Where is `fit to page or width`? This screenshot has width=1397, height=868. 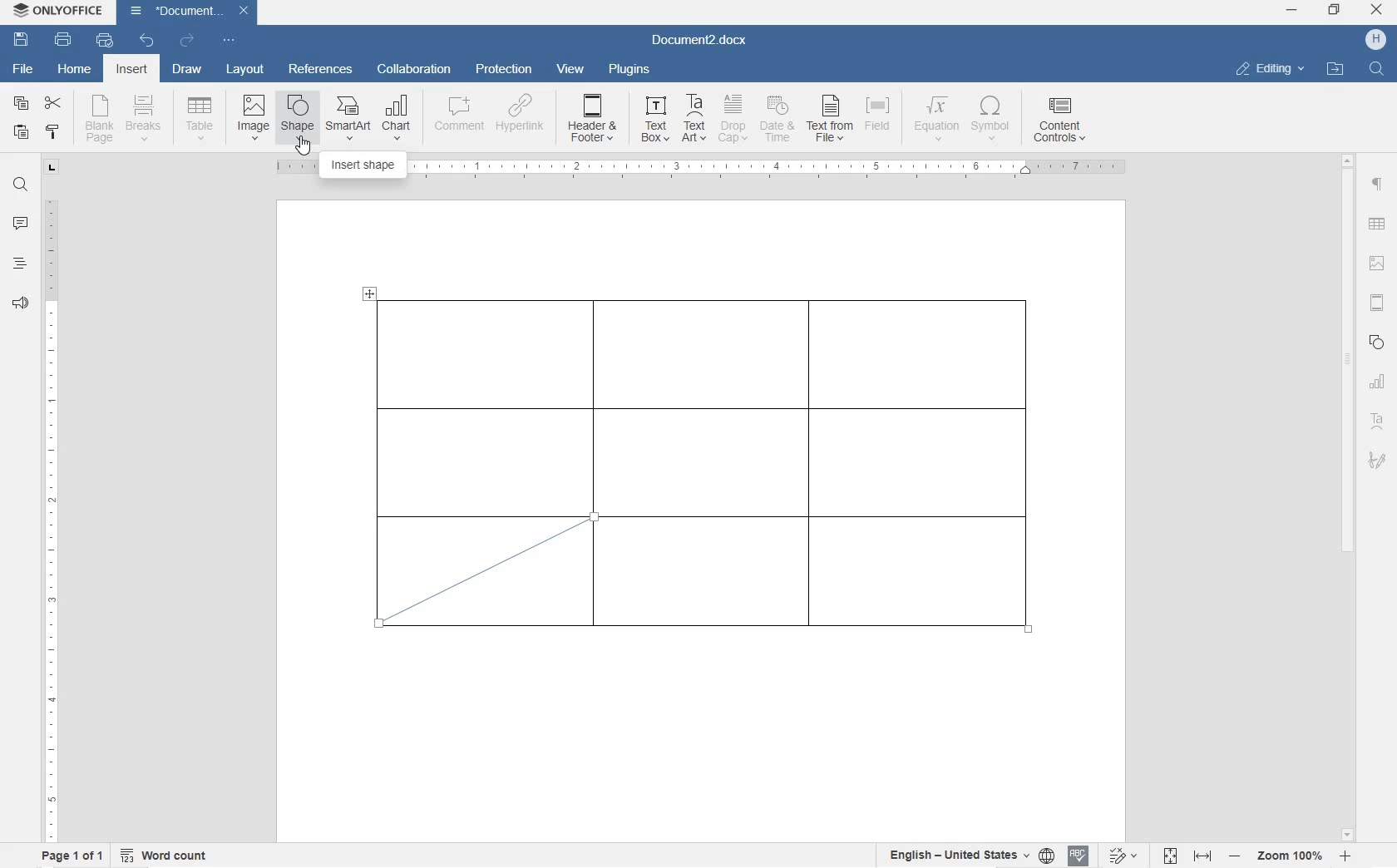 fit to page or width is located at coordinates (1187, 855).